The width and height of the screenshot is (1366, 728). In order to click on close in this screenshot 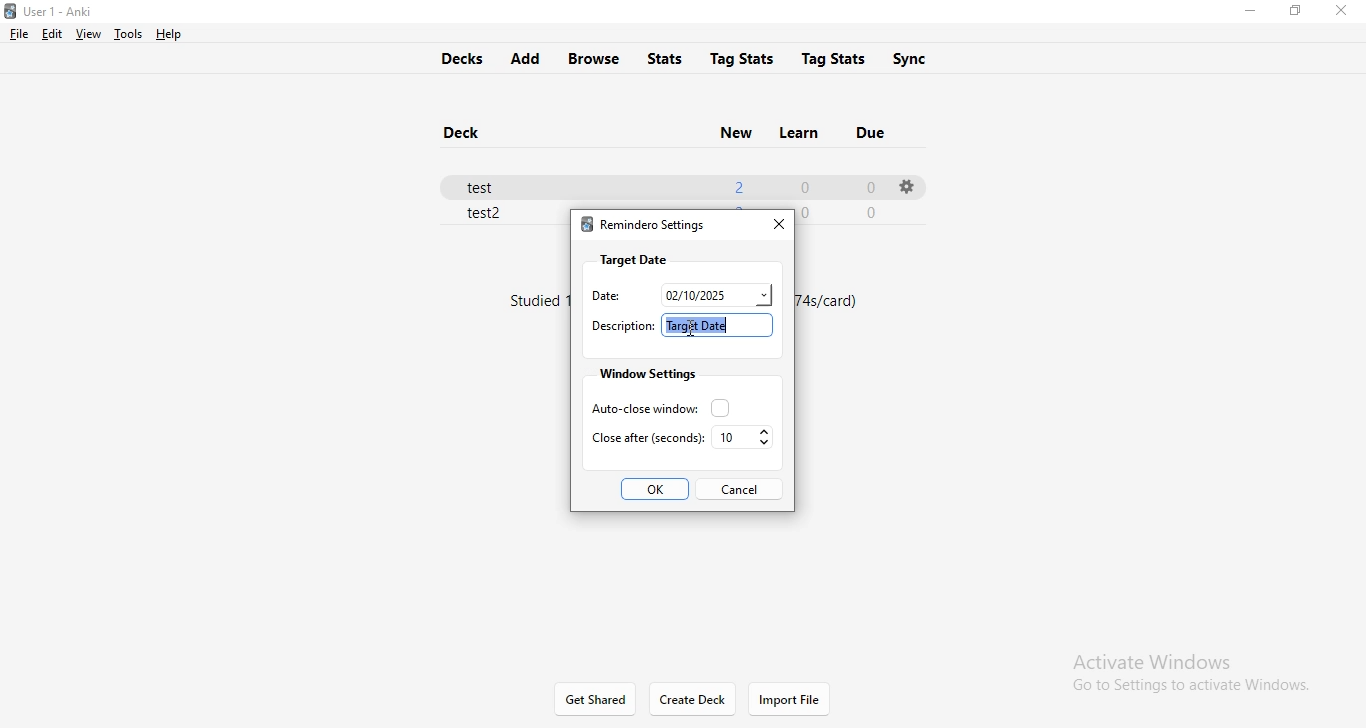, I will do `click(775, 222)`.